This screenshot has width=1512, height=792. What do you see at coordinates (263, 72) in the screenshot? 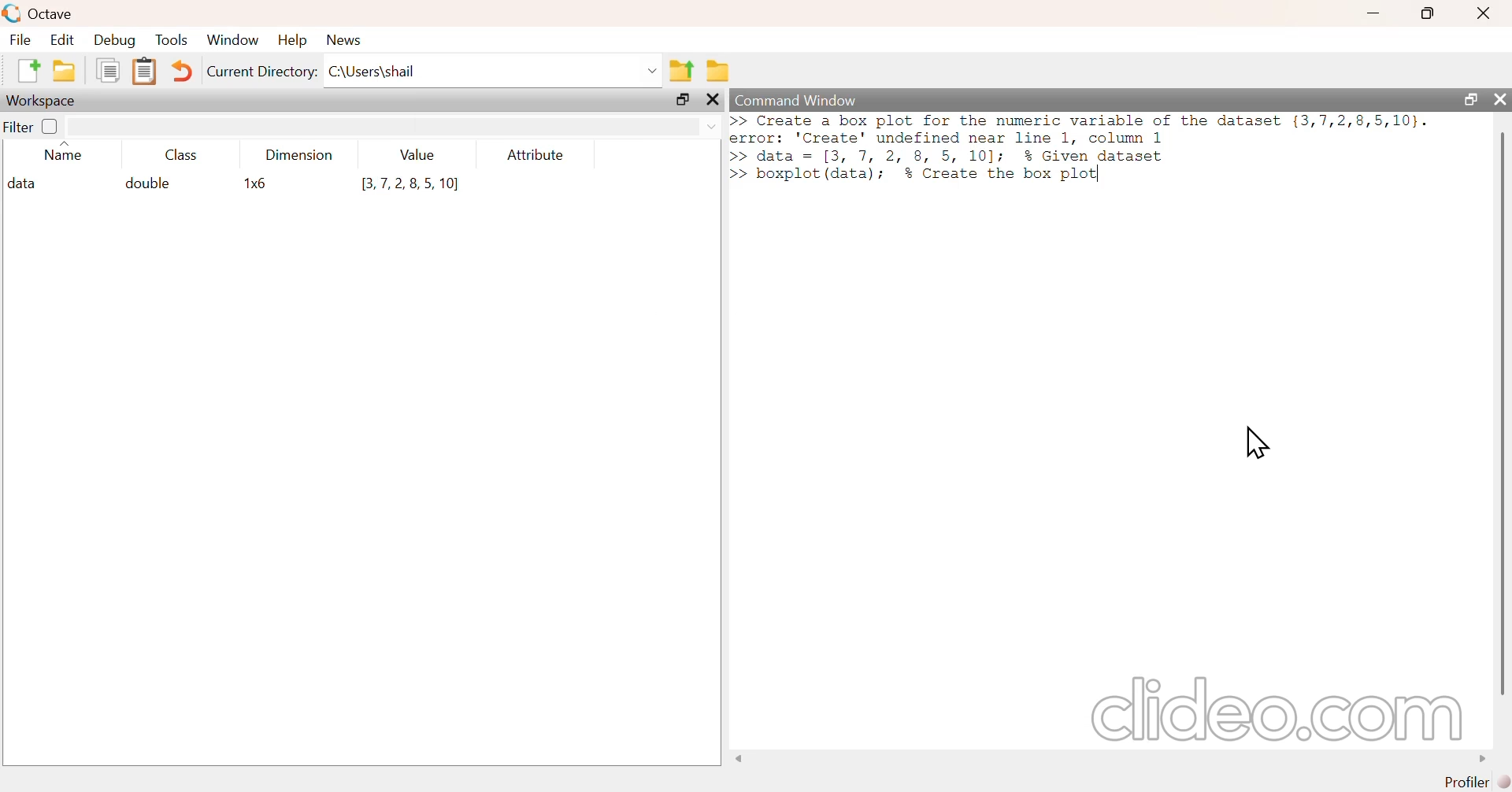
I see `current directory` at bounding box center [263, 72].